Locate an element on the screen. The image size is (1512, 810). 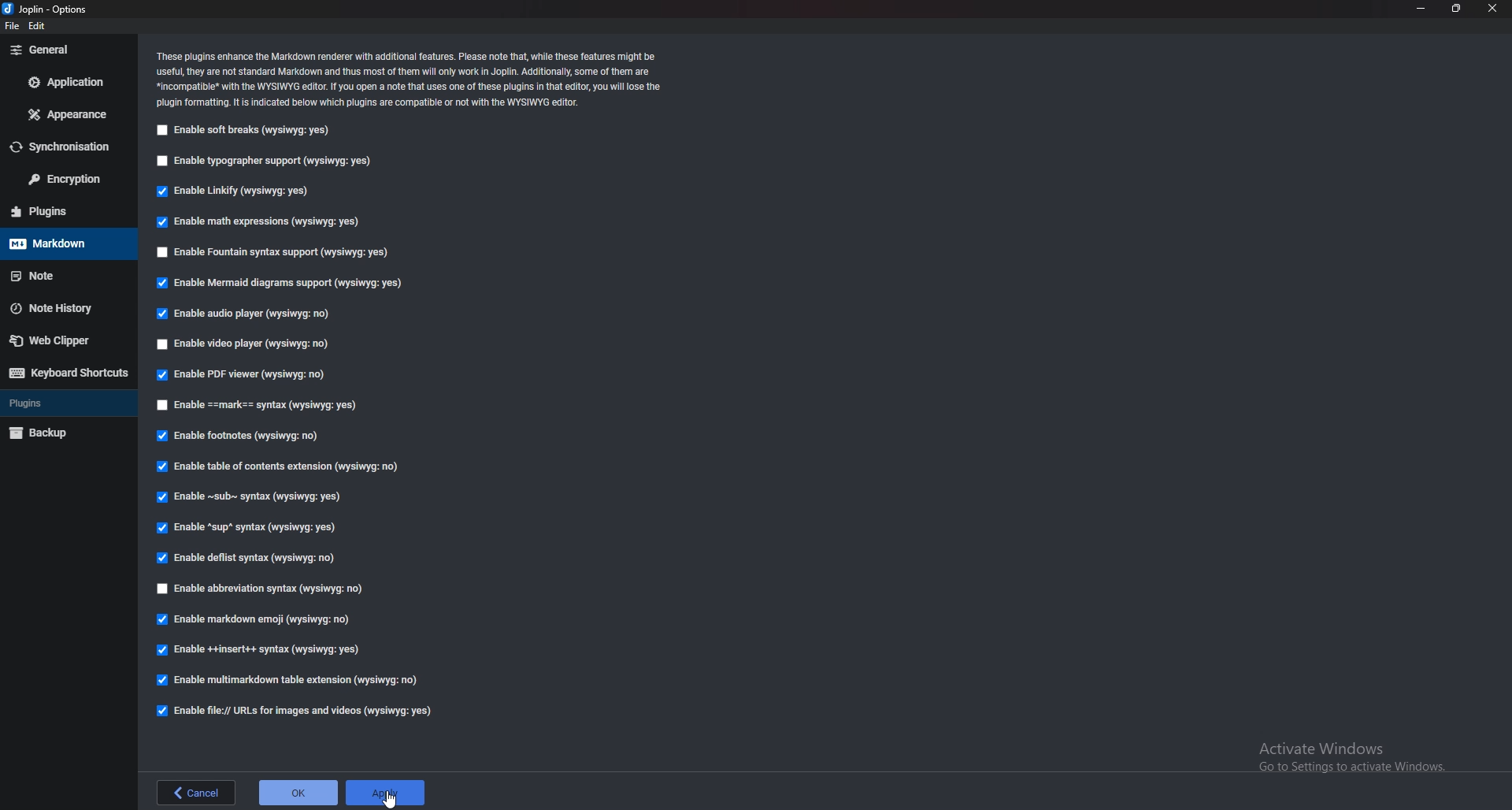
Enable sub syntax is located at coordinates (252, 500).